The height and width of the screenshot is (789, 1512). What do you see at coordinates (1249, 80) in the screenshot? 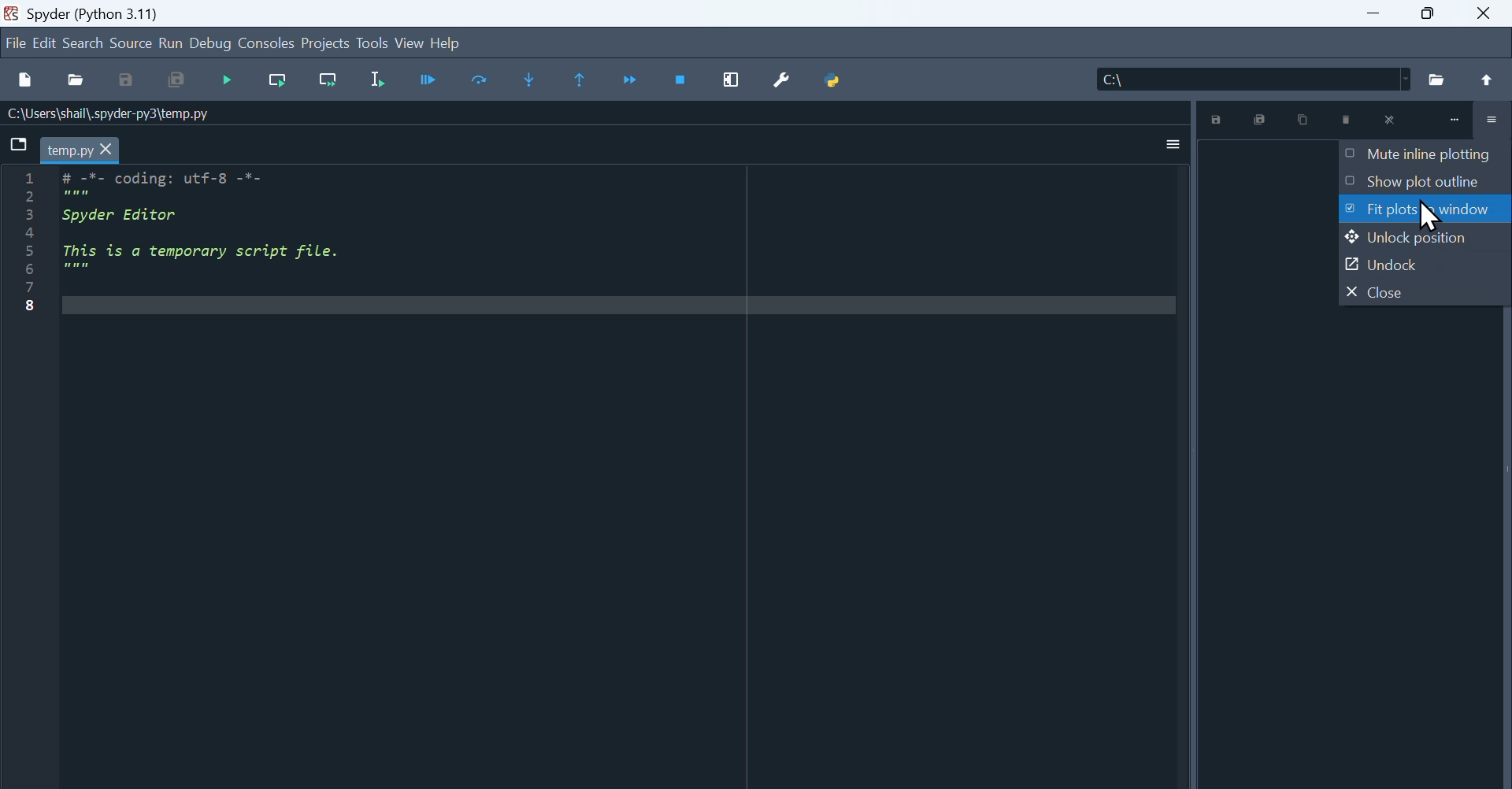
I see `File location` at bounding box center [1249, 80].